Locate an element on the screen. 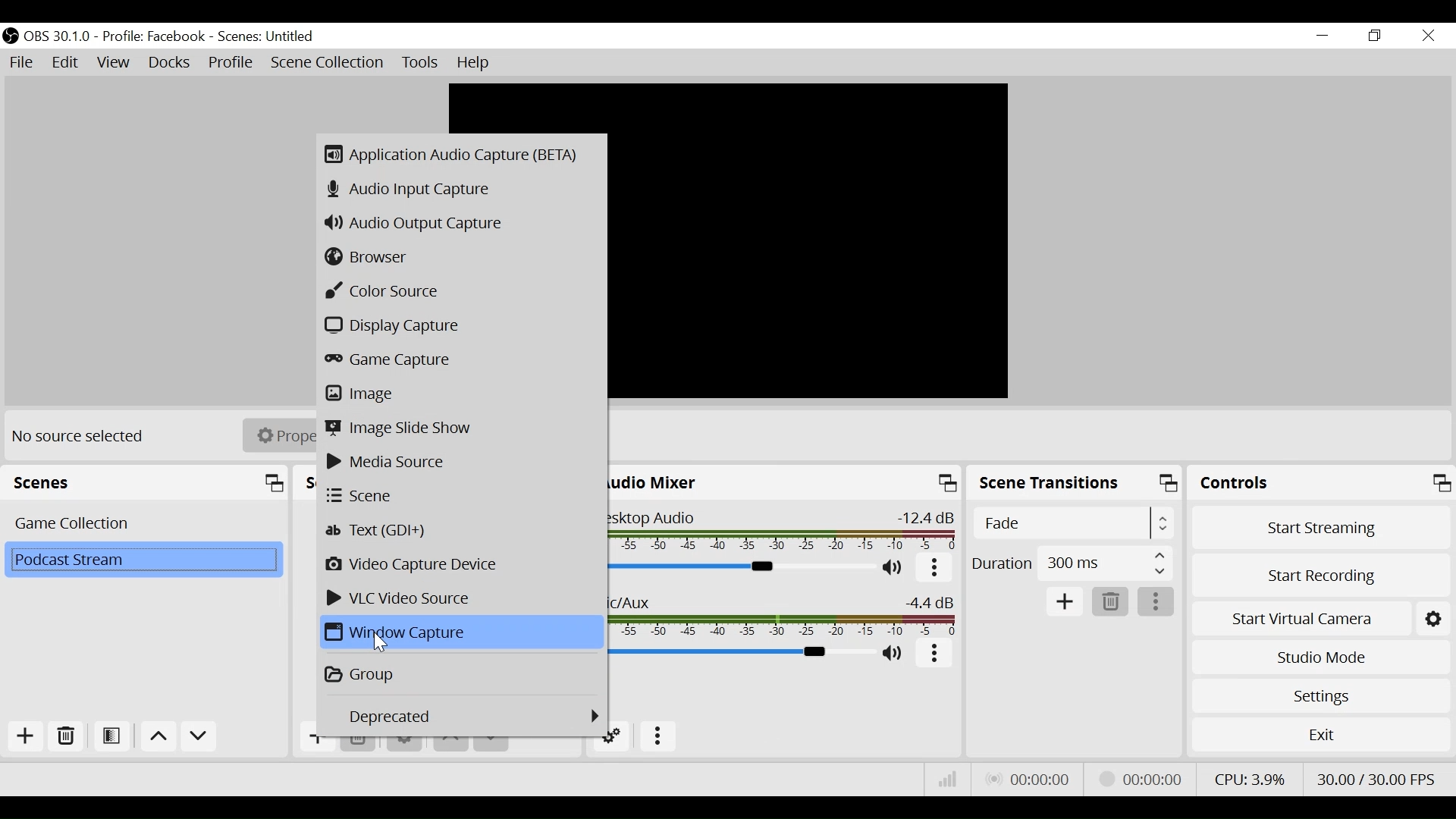 Image resolution: width=1456 pixels, height=819 pixels. More options is located at coordinates (935, 657).